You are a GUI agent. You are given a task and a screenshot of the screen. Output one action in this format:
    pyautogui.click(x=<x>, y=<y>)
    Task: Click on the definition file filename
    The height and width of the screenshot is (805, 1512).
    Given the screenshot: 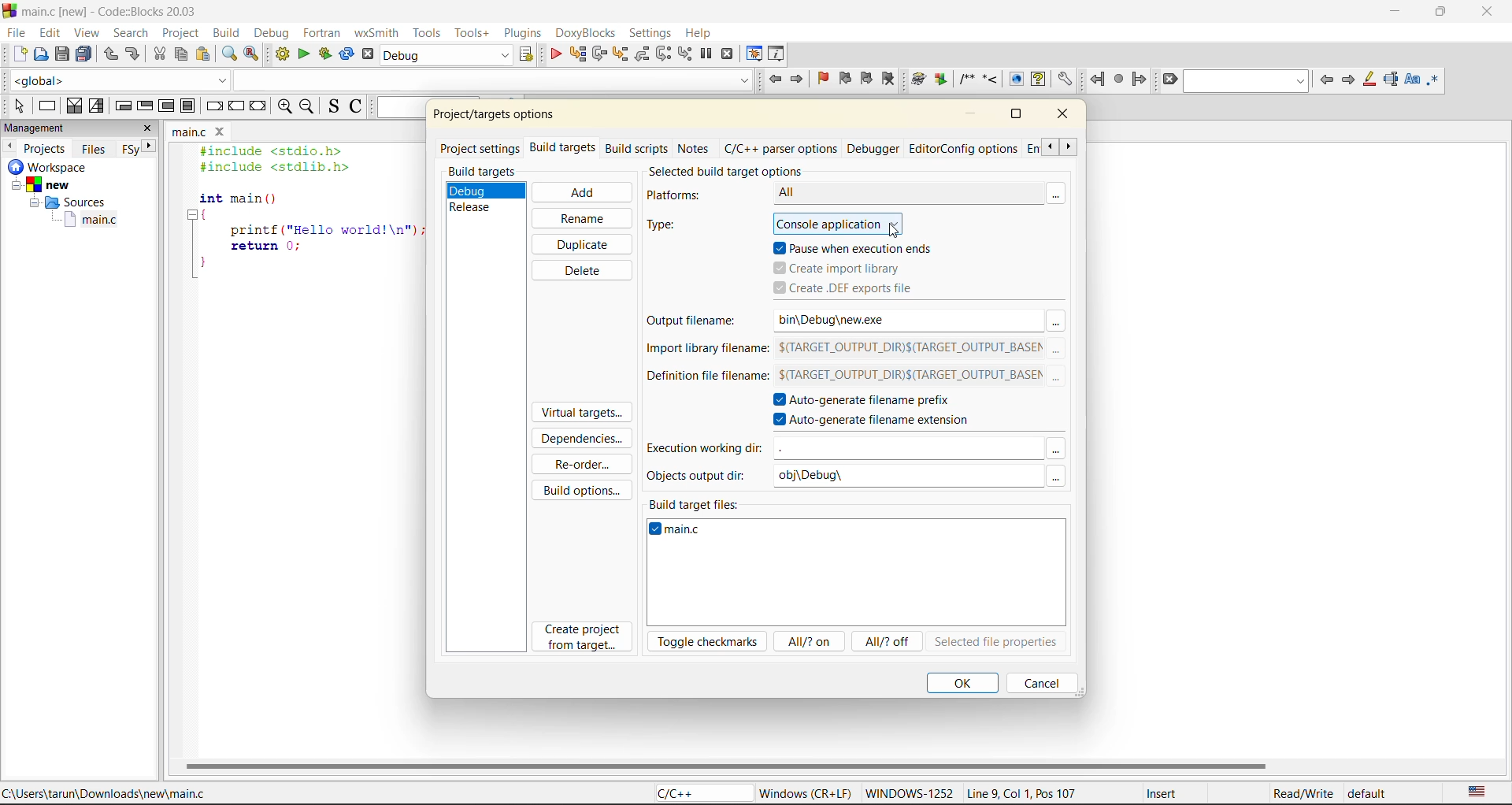 What is the action you would take?
    pyautogui.click(x=710, y=374)
    